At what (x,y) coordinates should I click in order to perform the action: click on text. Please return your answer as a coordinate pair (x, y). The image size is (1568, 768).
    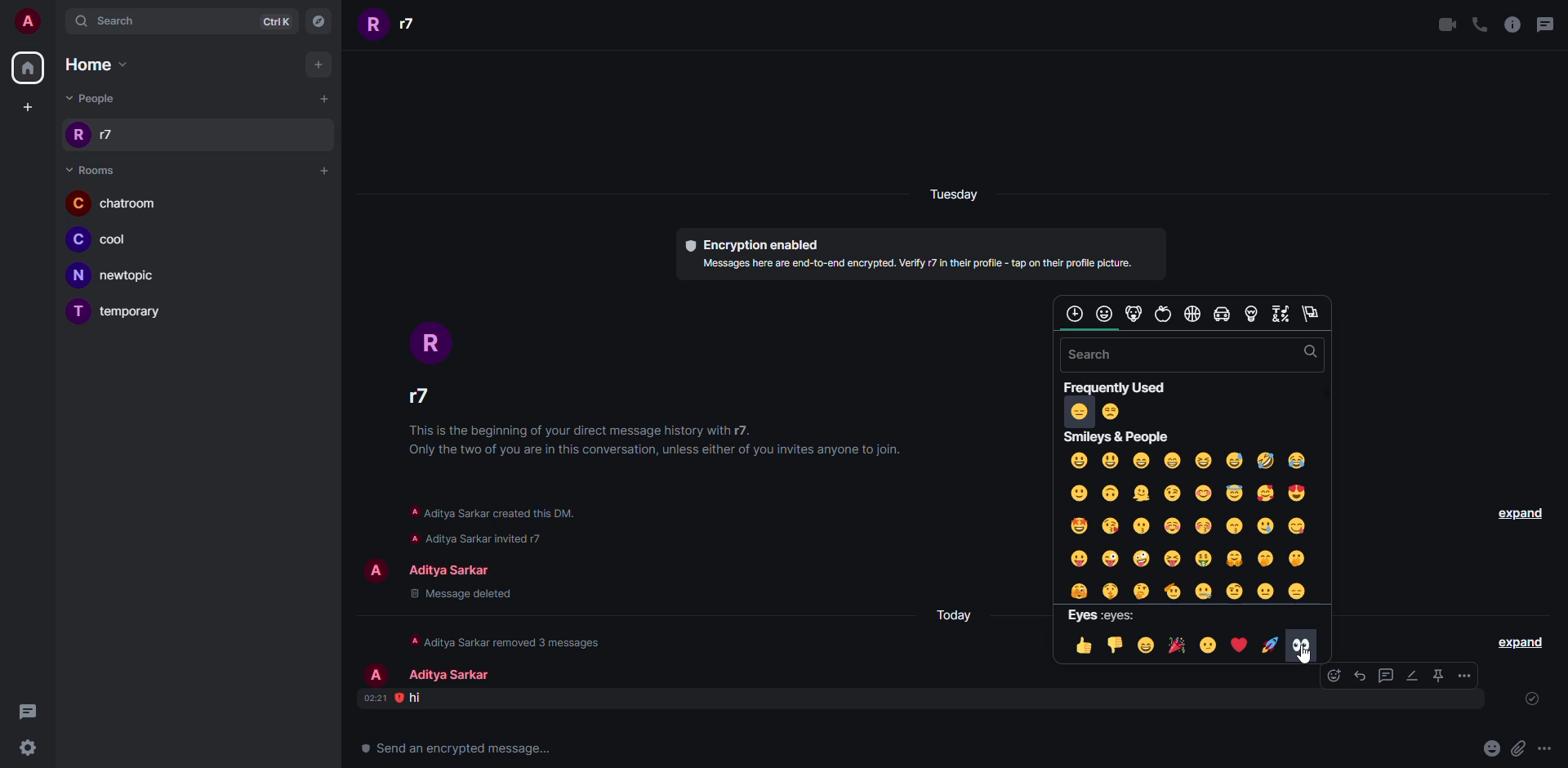
    Looking at the image, I should click on (458, 748).